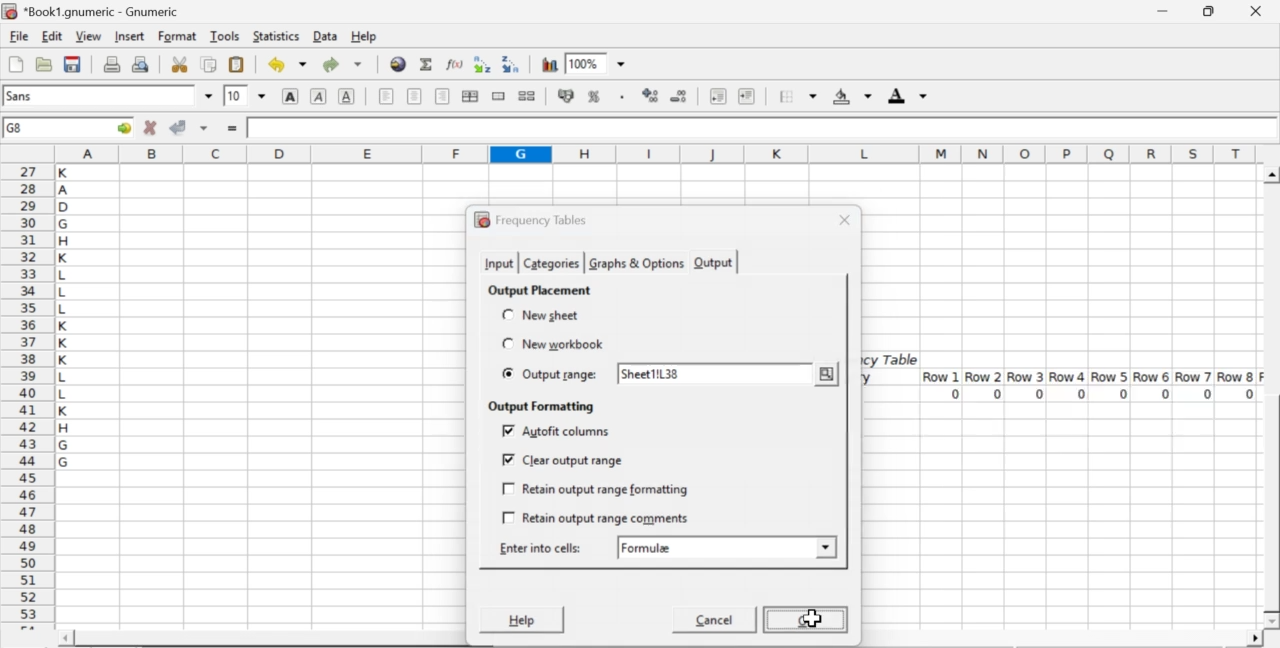  Describe the element at coordinates (235, 96) in the screenshot. I see `10` at that location.